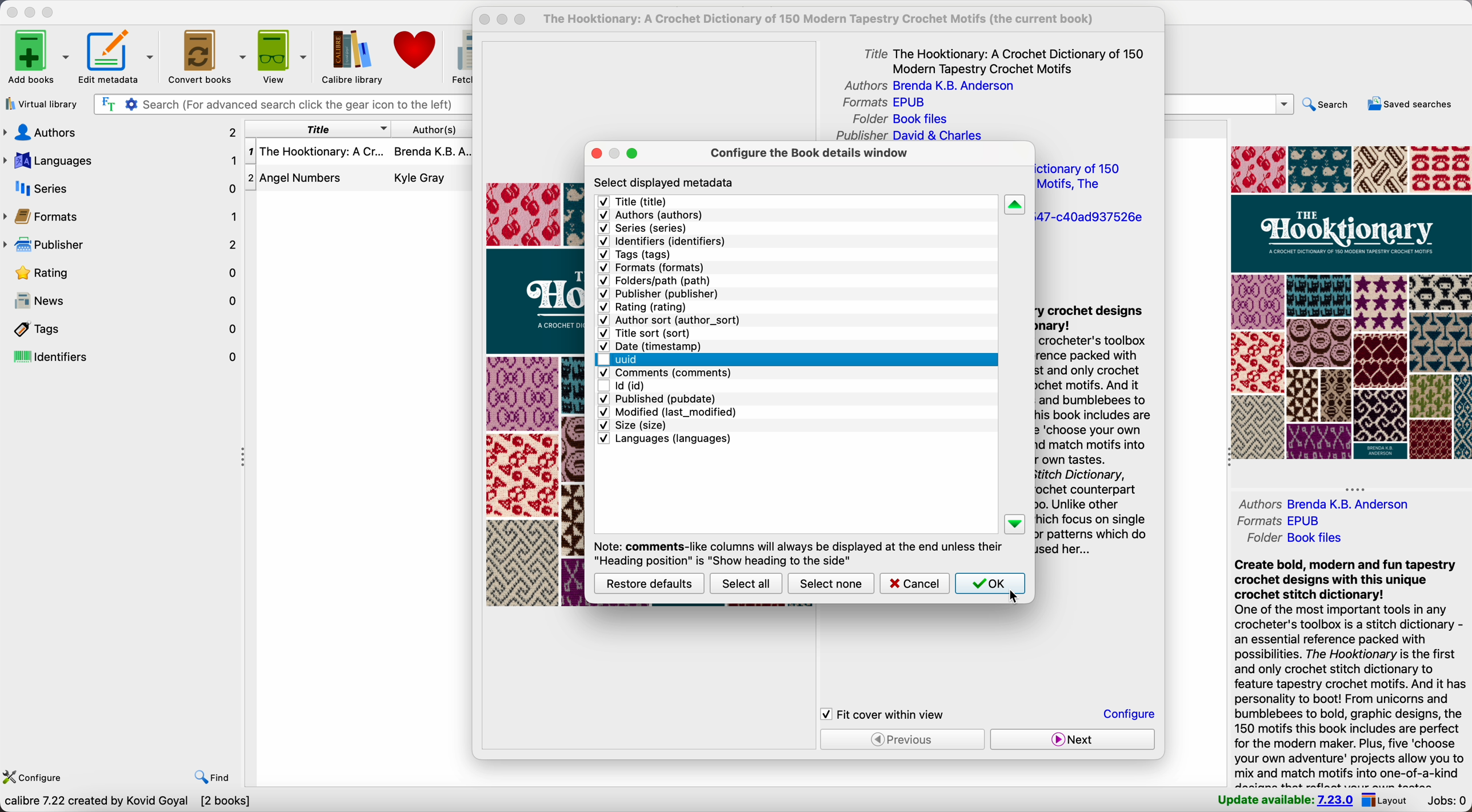 The width and height of the screenshot is (1472, 812). Describe the element at coordinates (205, 55) in the screenshot. I see `convert books` at that location.